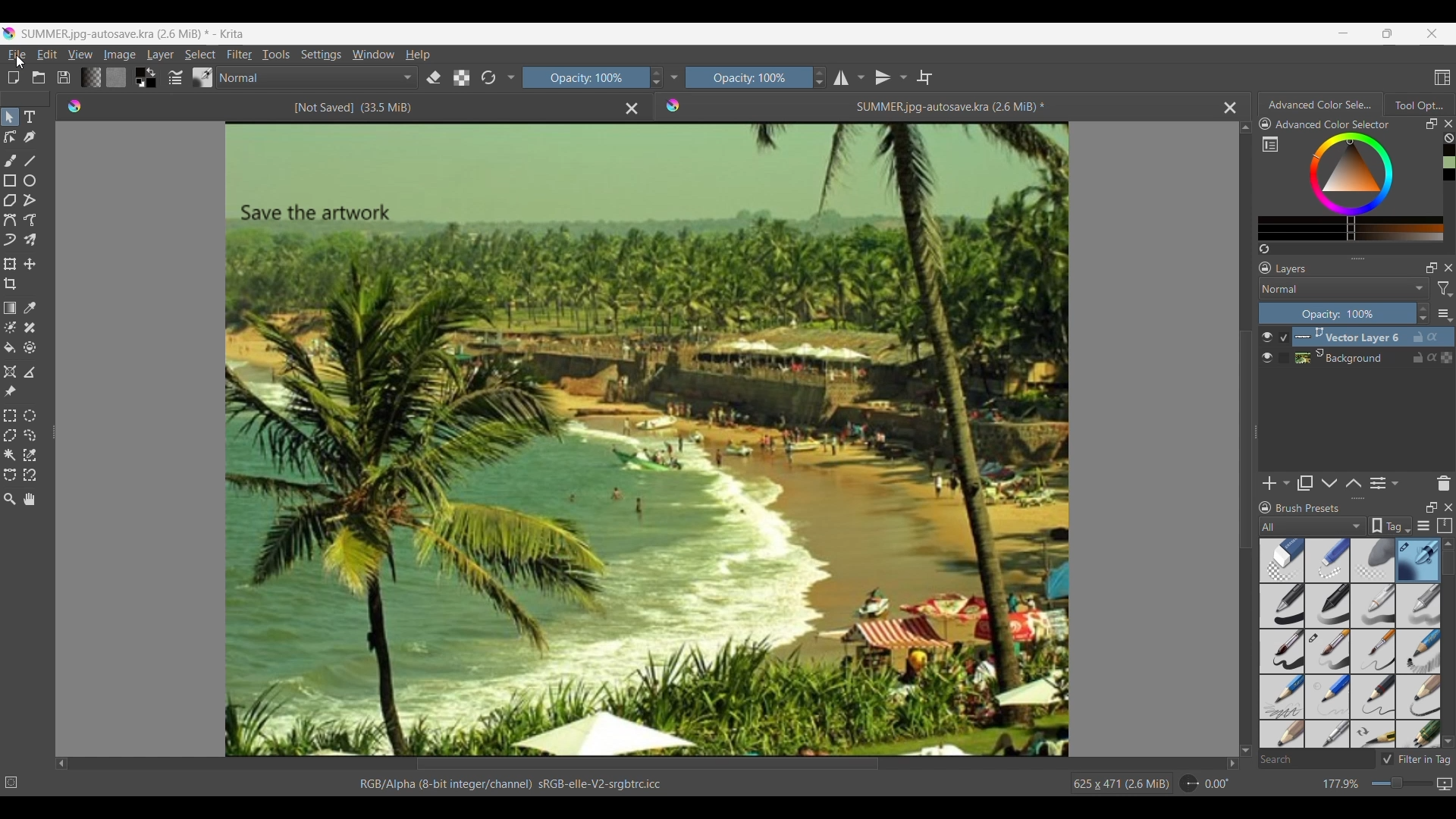  Describe the element at coordinates (417, 55) in the screenshot. I see `Help` at that location.